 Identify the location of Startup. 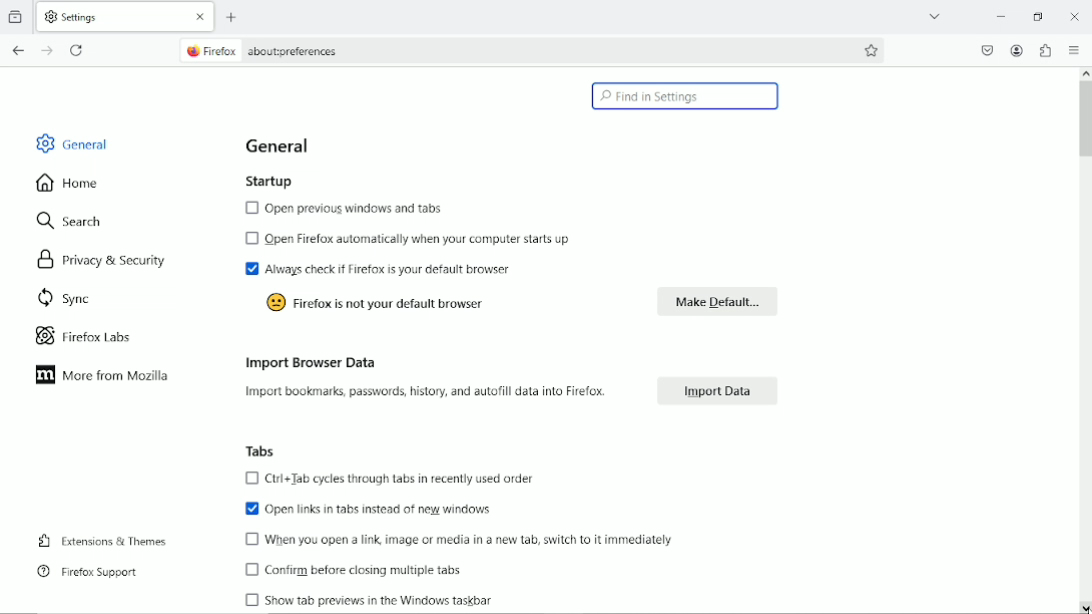
(268, 181).